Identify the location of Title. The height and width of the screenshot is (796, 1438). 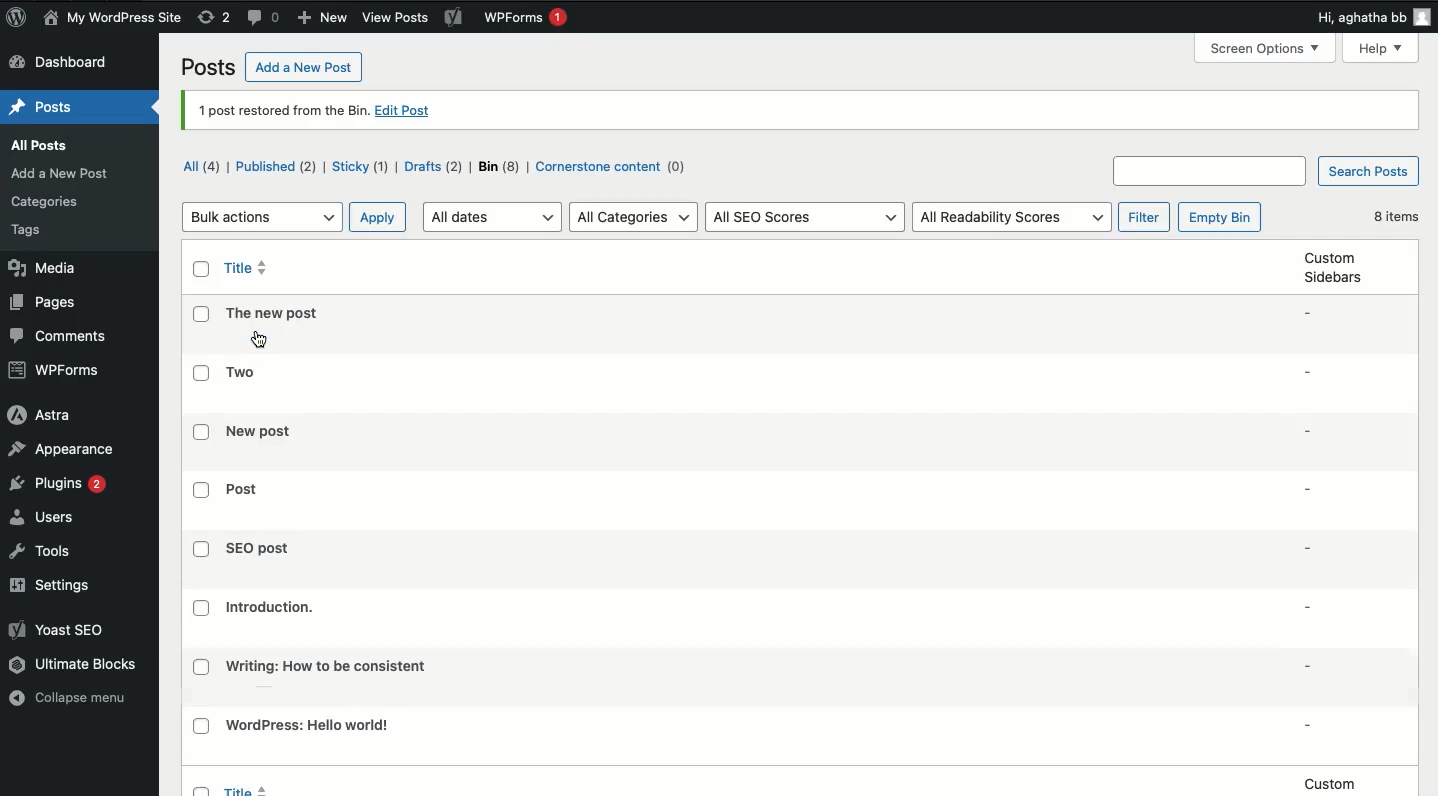
(243, 488).